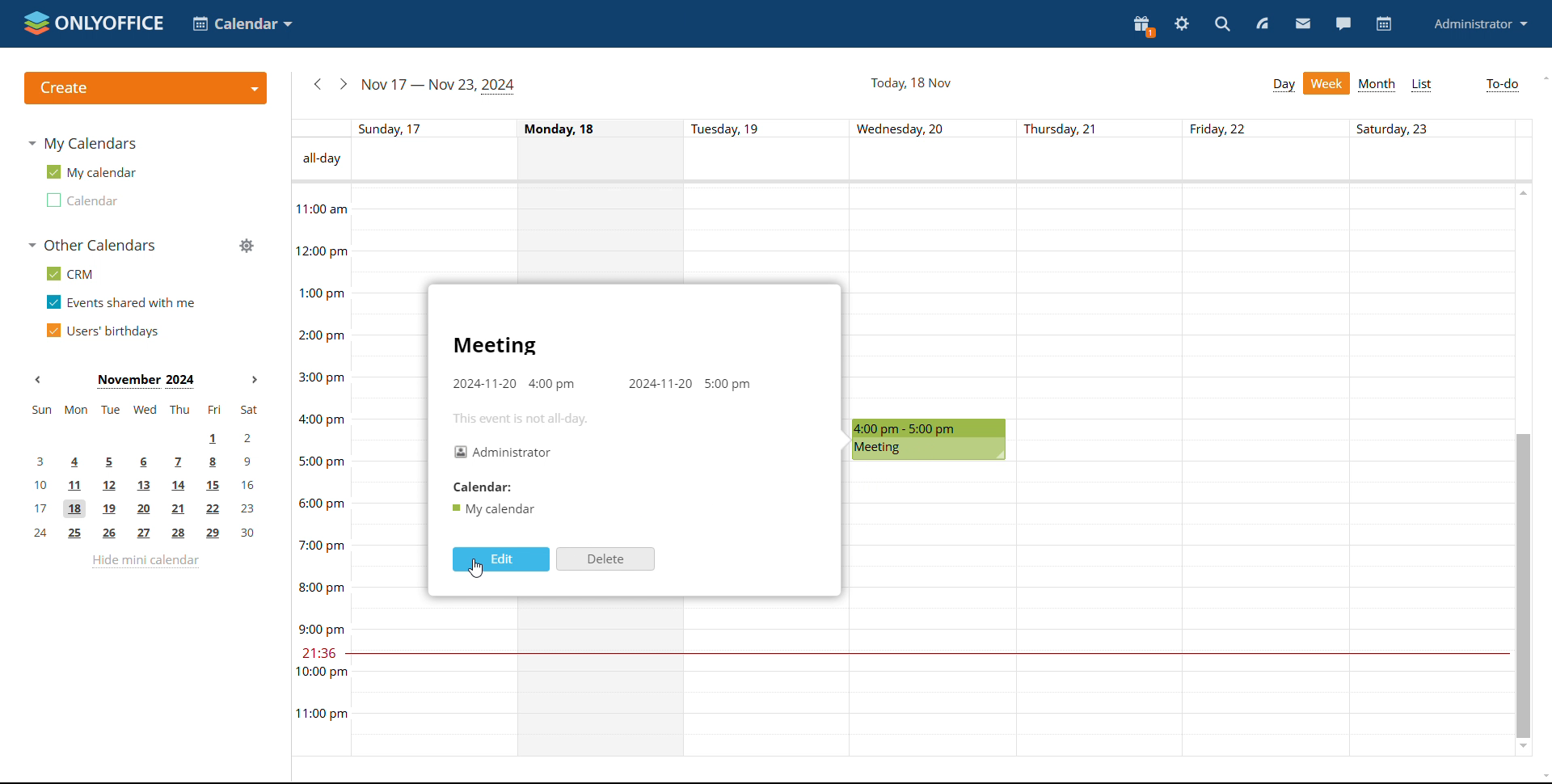 This screenshot has width=1552, height=784. I want to click on manage, so click(245, 245).